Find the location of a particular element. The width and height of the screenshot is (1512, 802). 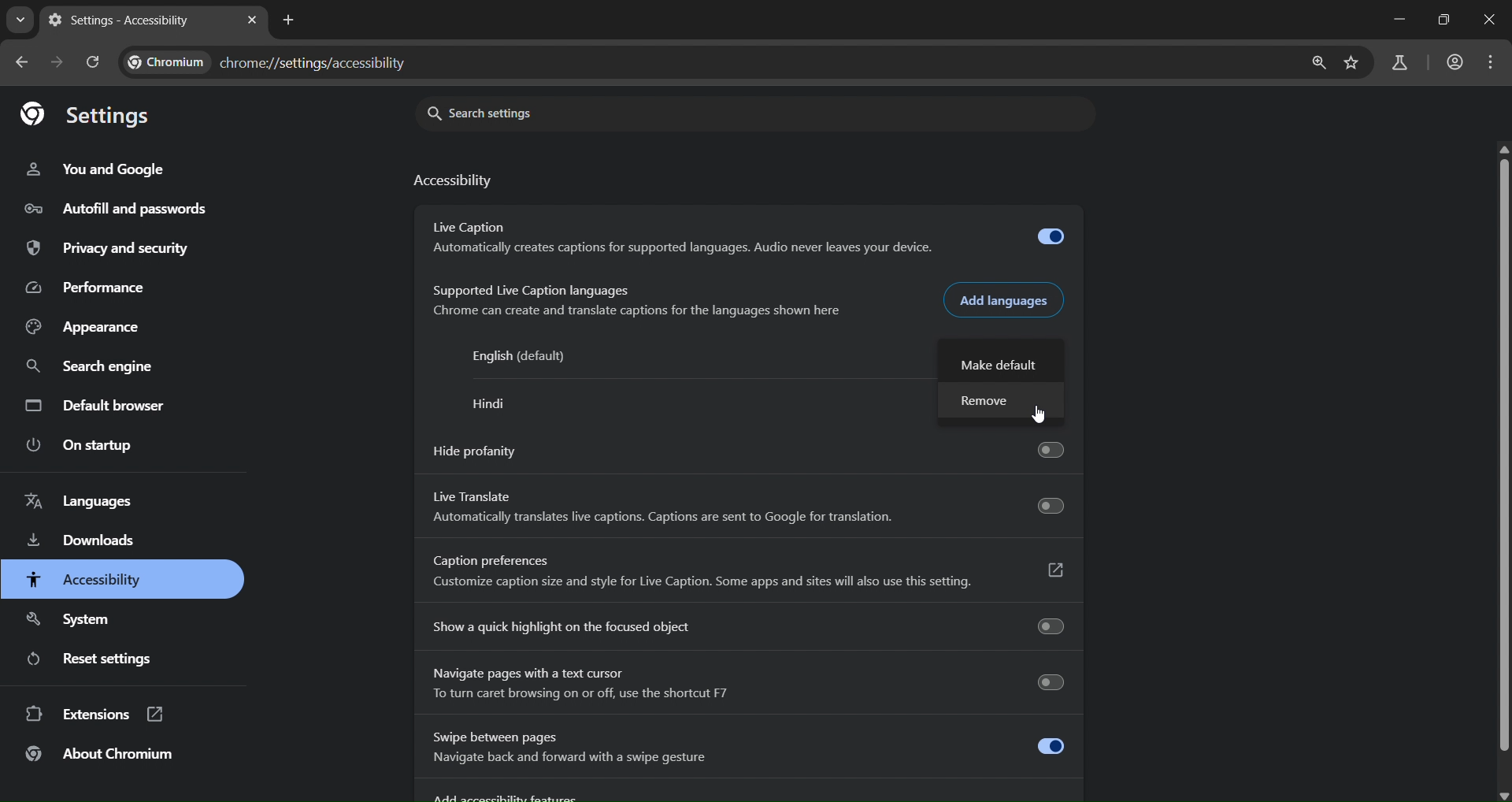

appearance is located at coordinates (84, 327).